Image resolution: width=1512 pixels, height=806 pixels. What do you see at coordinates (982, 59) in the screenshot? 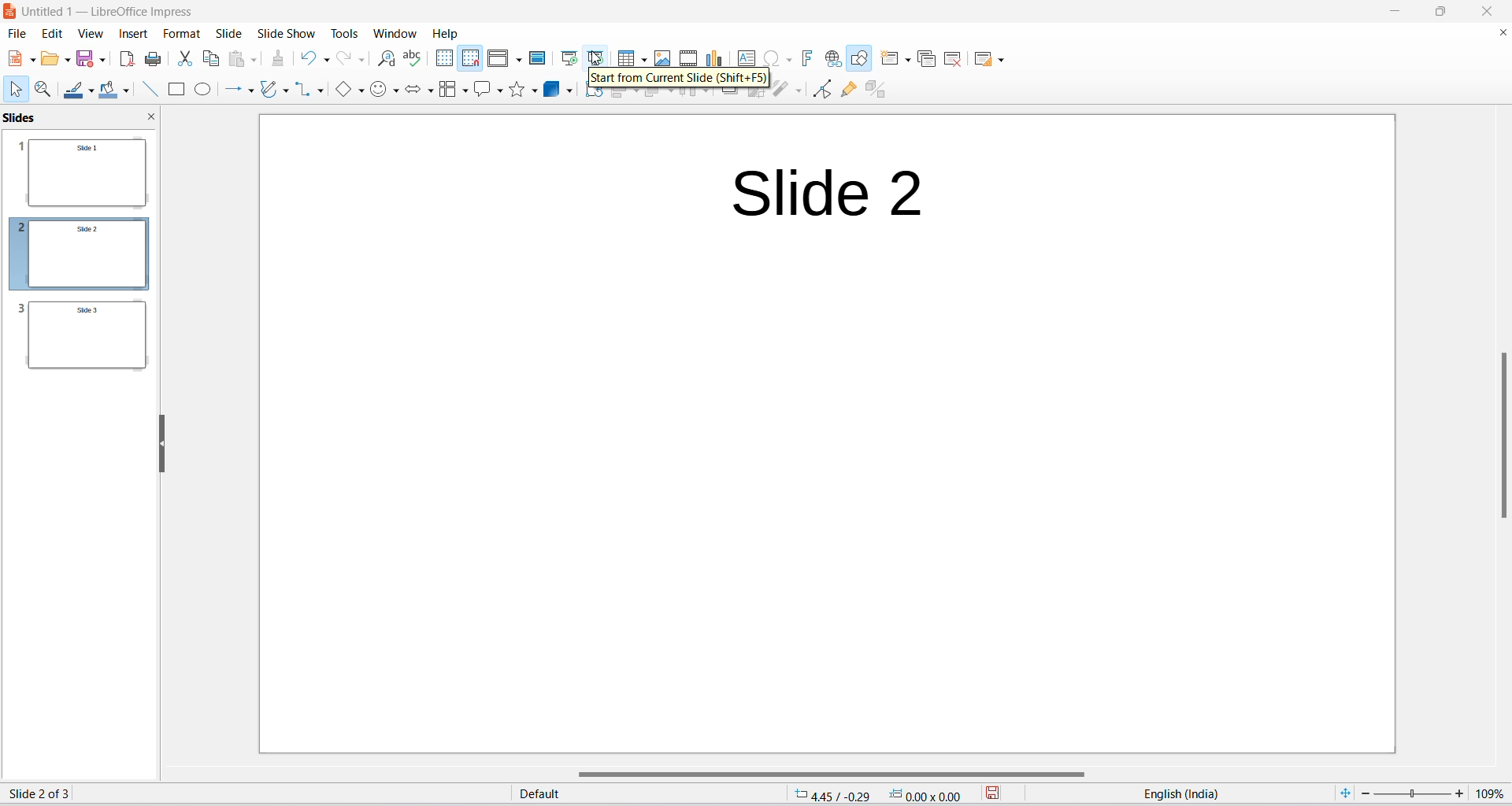
I see `slide layout` at bounding box center [982, 59].